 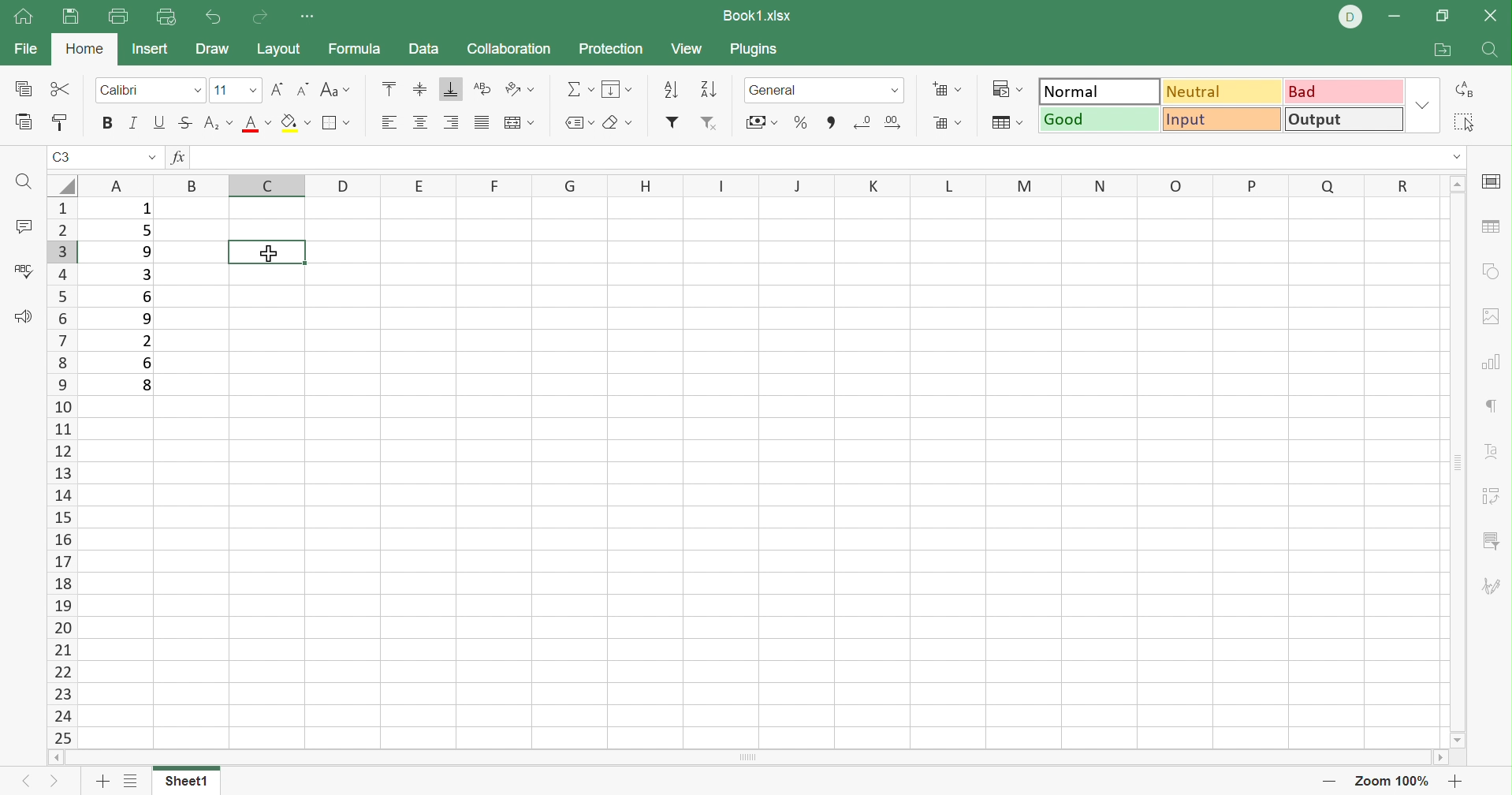 What do you see at coordinates (422, 88) in the screenshot?
I see `Align Middle` at bounding box center [422, 88].